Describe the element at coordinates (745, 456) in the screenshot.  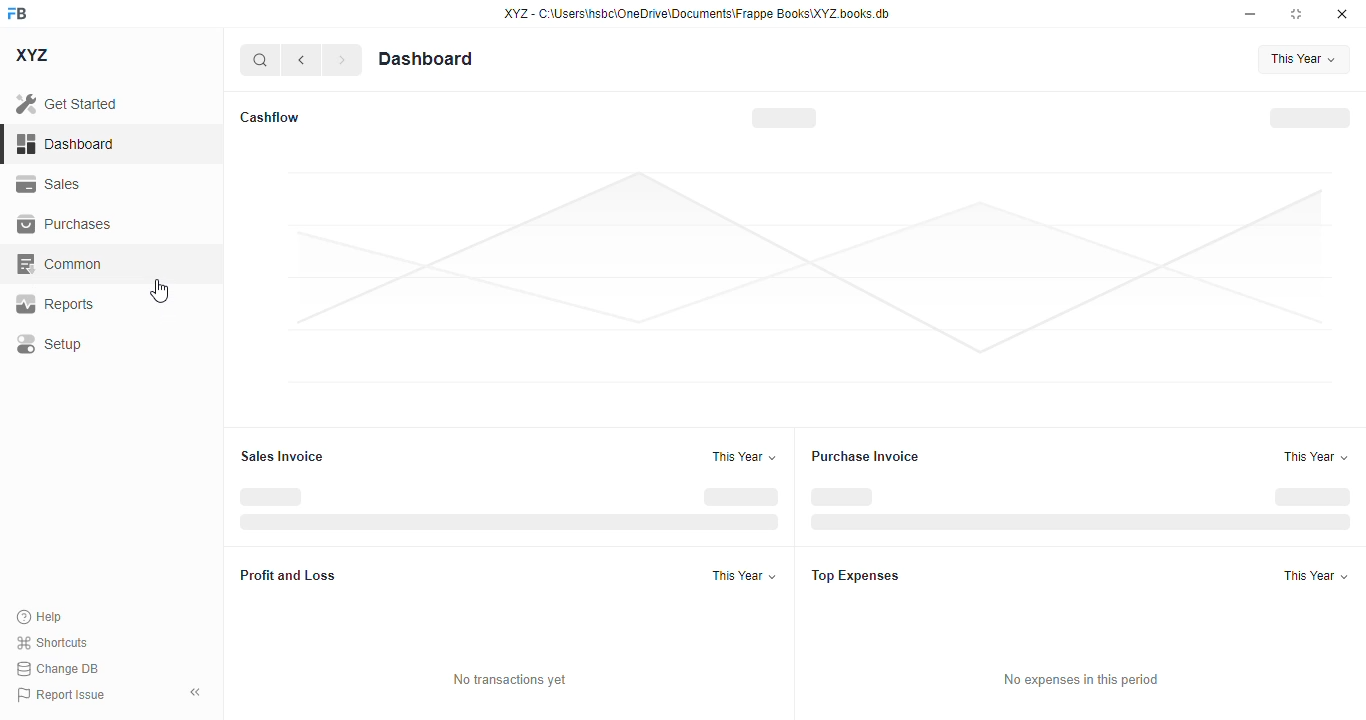
I see `this year` at that location.